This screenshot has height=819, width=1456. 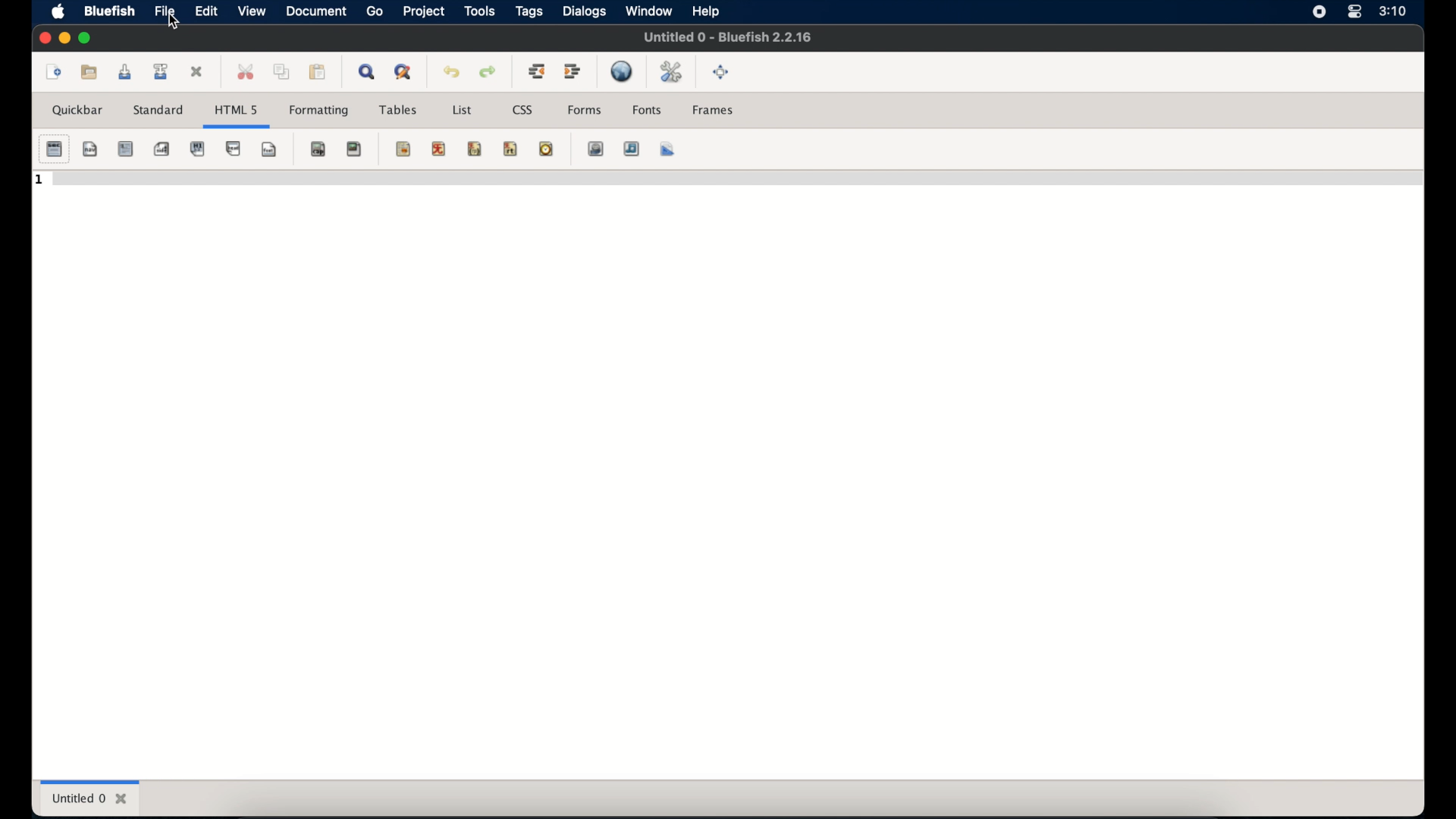 What do you see at coordinates (161, 71) in the screenshot?
I see `save file as` at bounding box center [161, 71].